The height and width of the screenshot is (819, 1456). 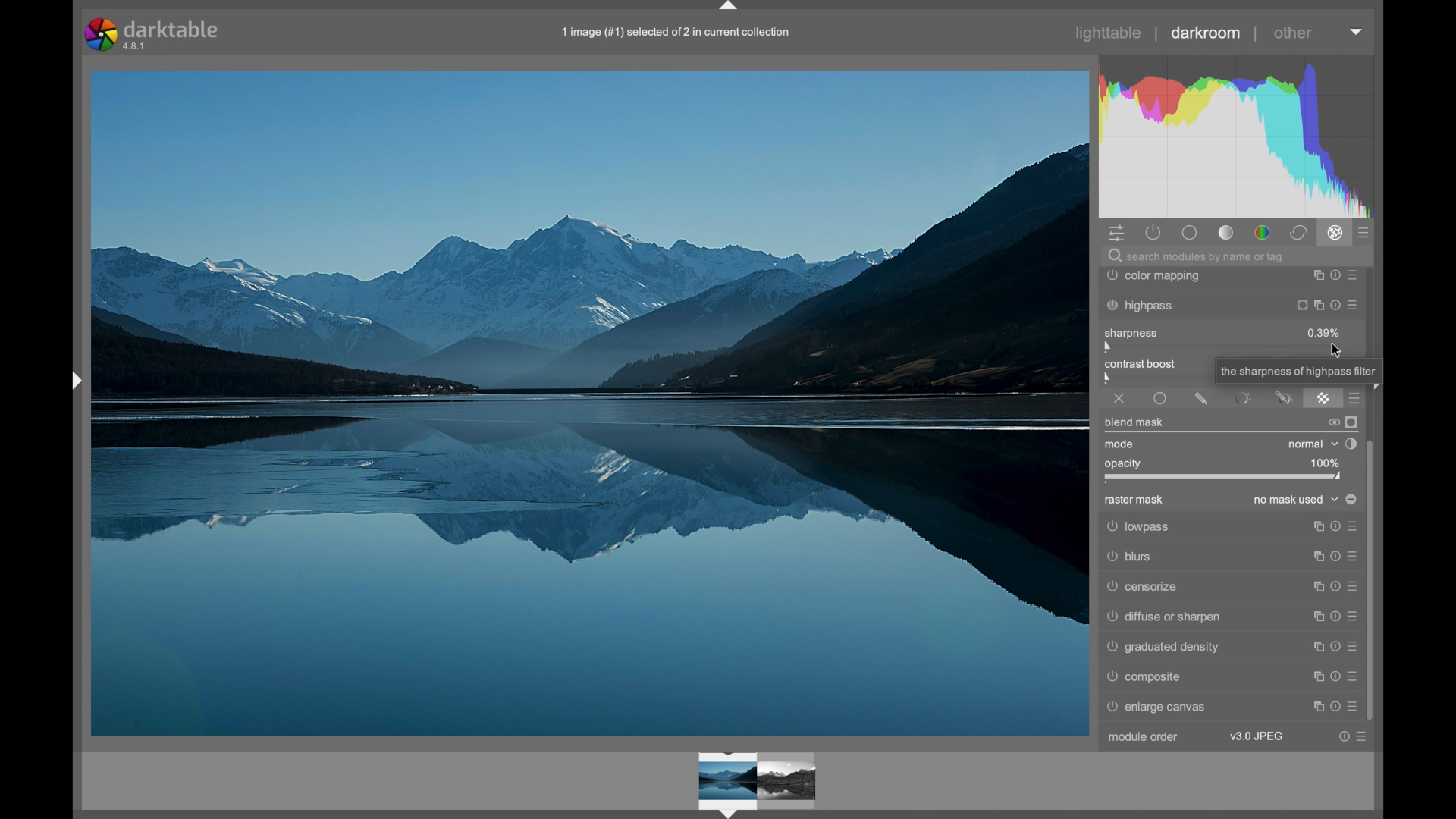 I want to click on search modules by name or tag, so click(x=1196, y=258).